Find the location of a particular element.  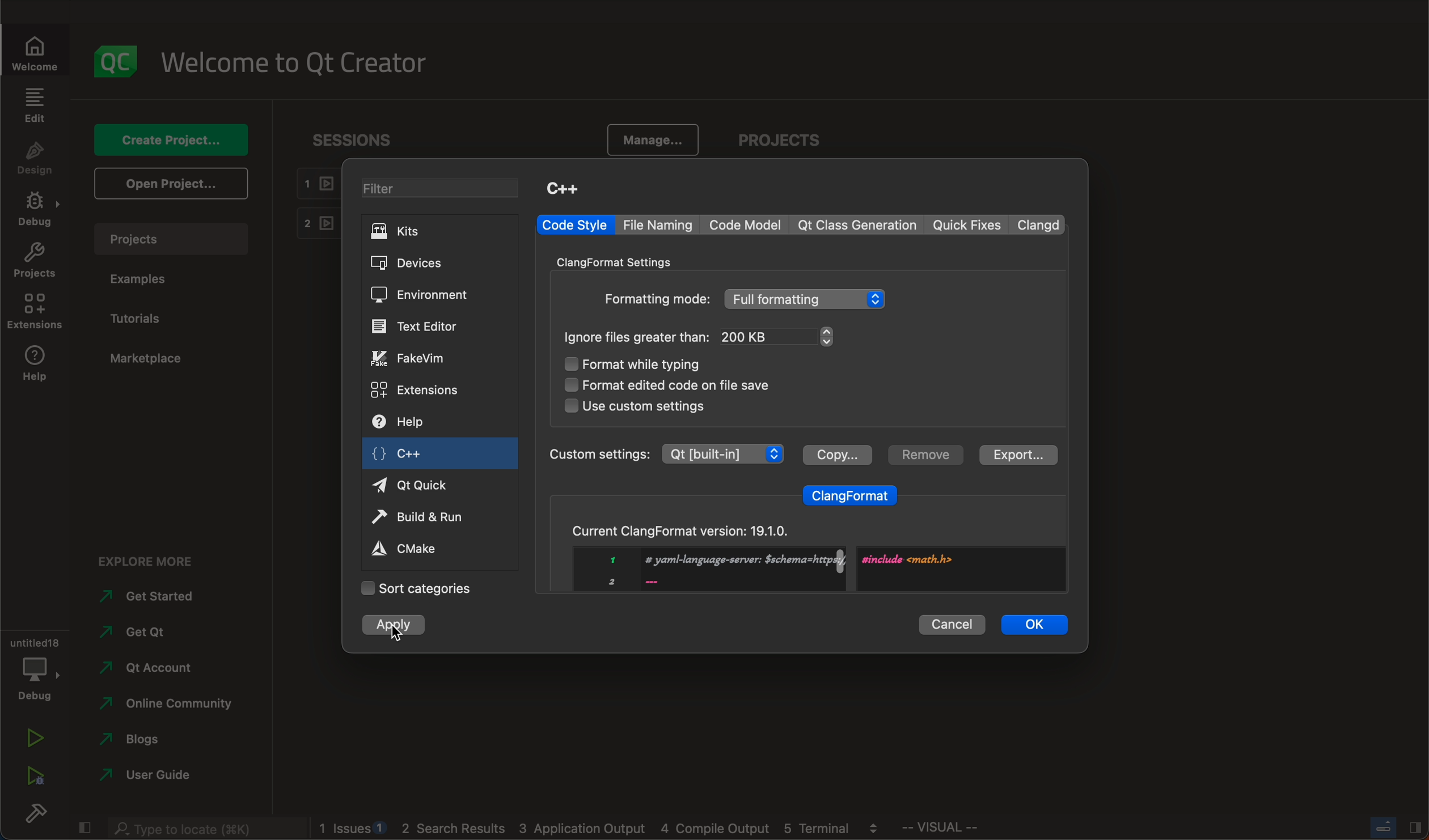

fake vim is located at coordinates (420, 358).